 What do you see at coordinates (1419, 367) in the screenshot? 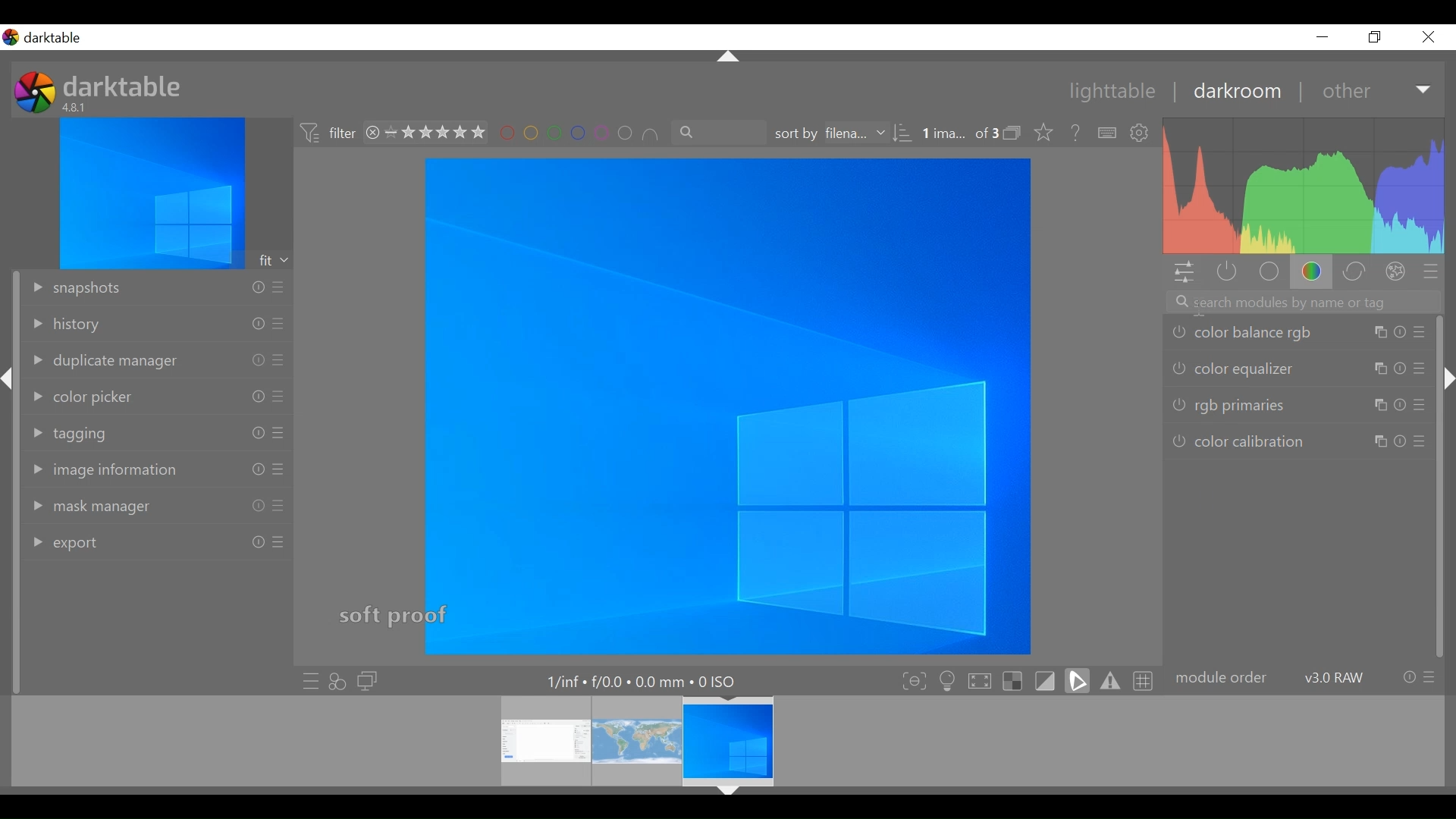
I see `presets` at bounding box center [1419, 367].